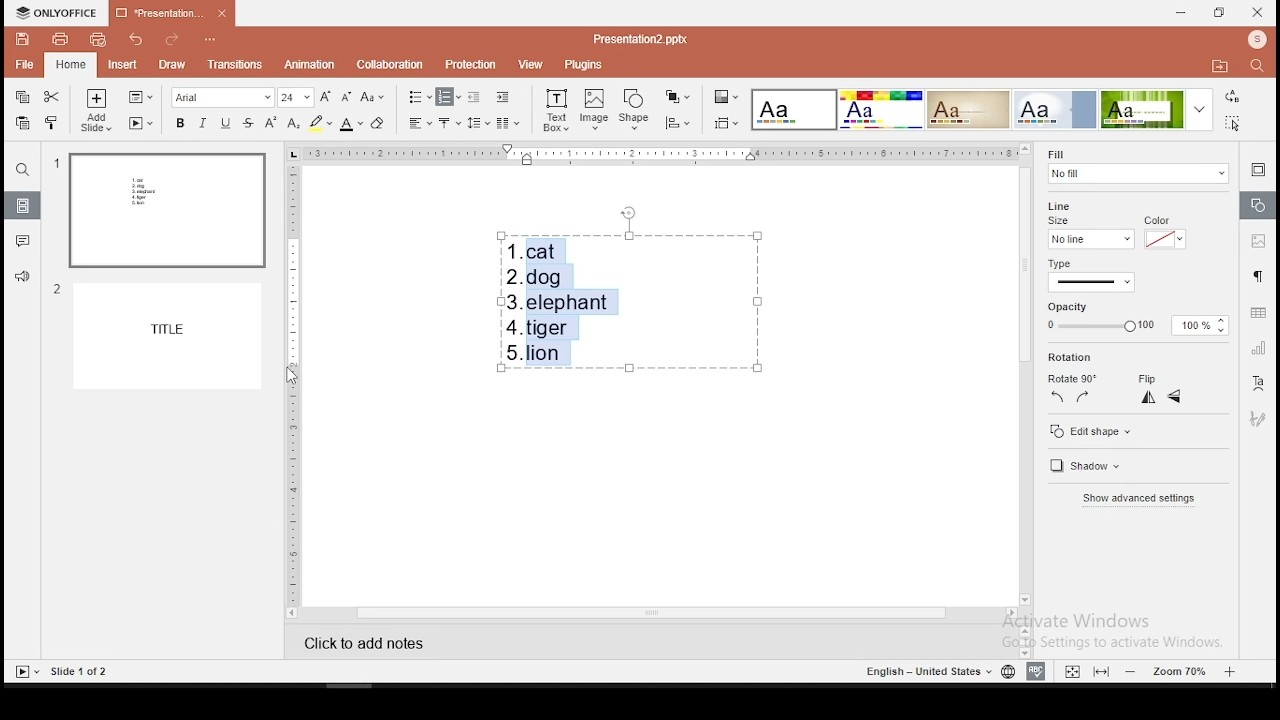 This screenshot has height=720, width=1280. I want to click on italics, so click(200, 125).